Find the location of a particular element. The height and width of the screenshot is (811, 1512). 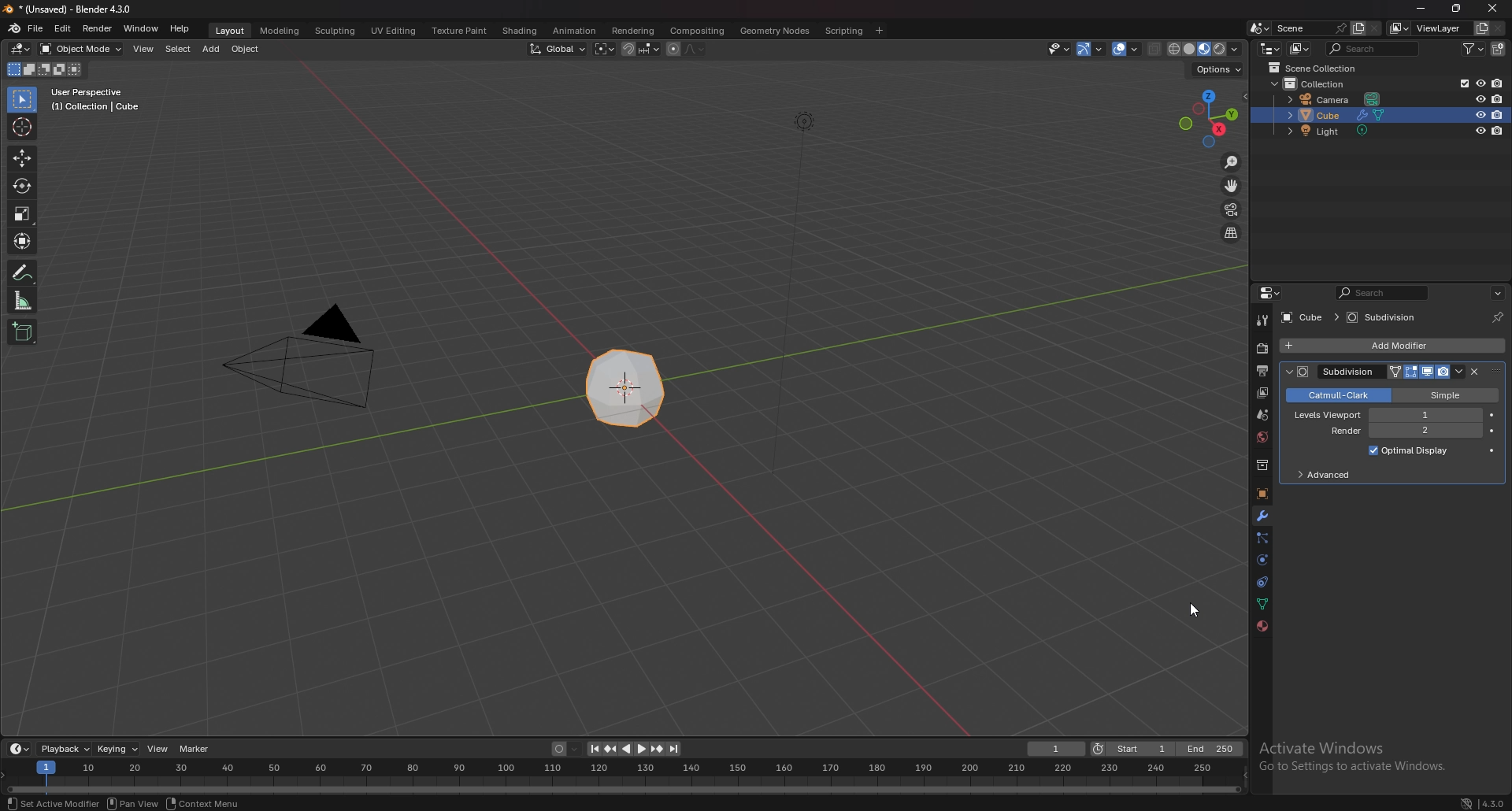

search is located at coordinates (1372, 49).